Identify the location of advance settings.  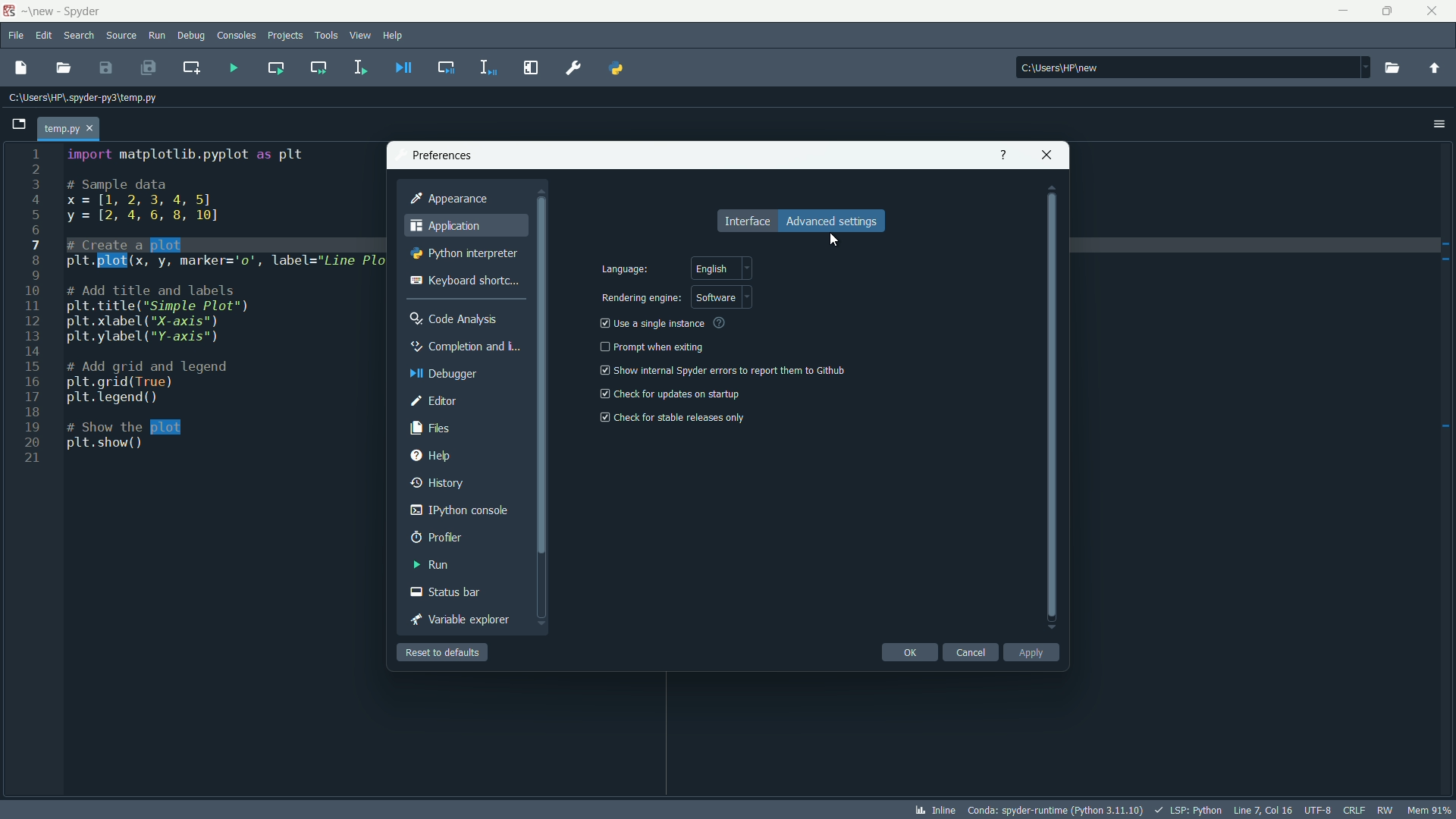
(831, 221).